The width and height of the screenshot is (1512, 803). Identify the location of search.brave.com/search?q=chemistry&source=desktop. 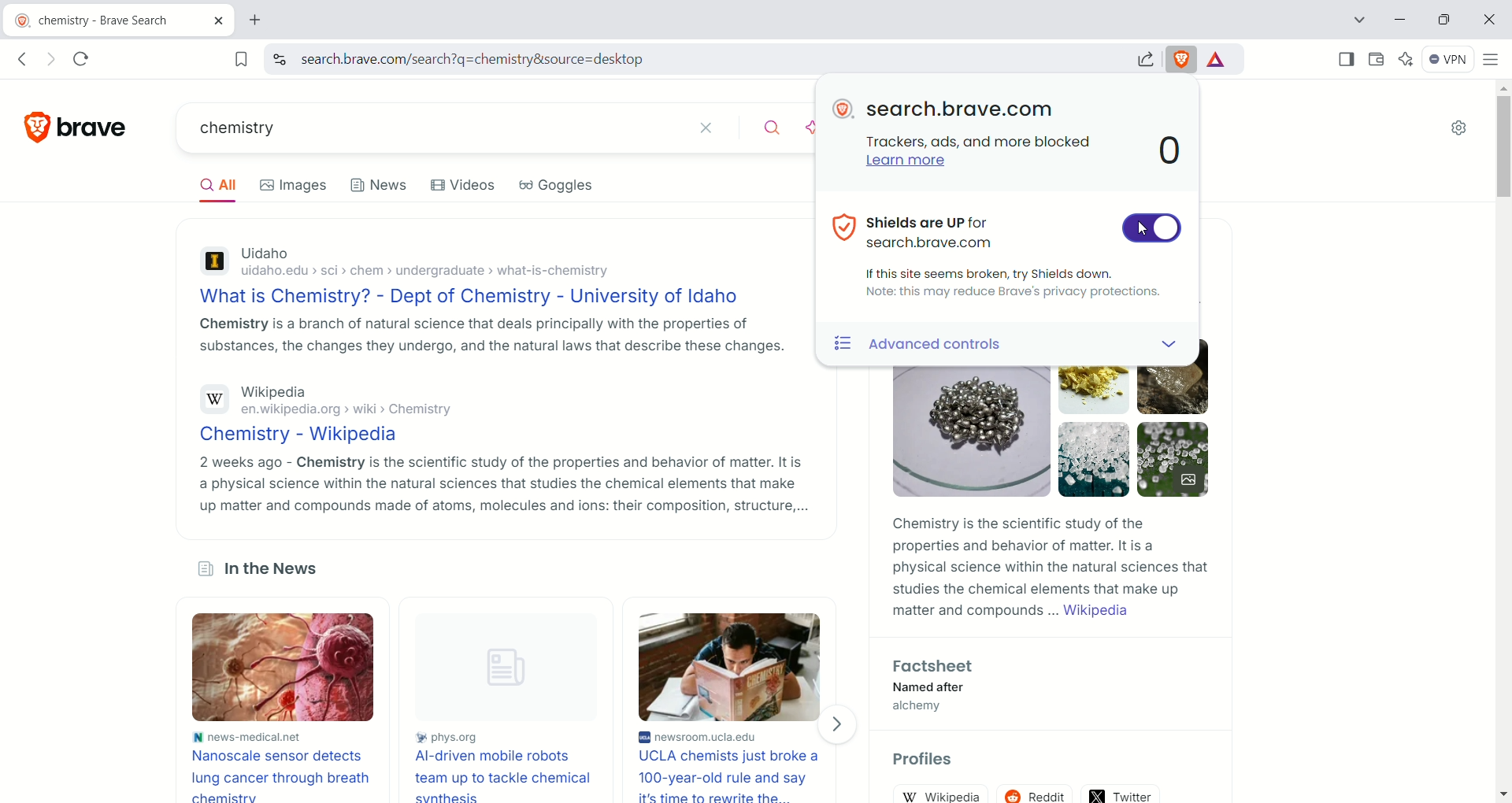
(701, 61).